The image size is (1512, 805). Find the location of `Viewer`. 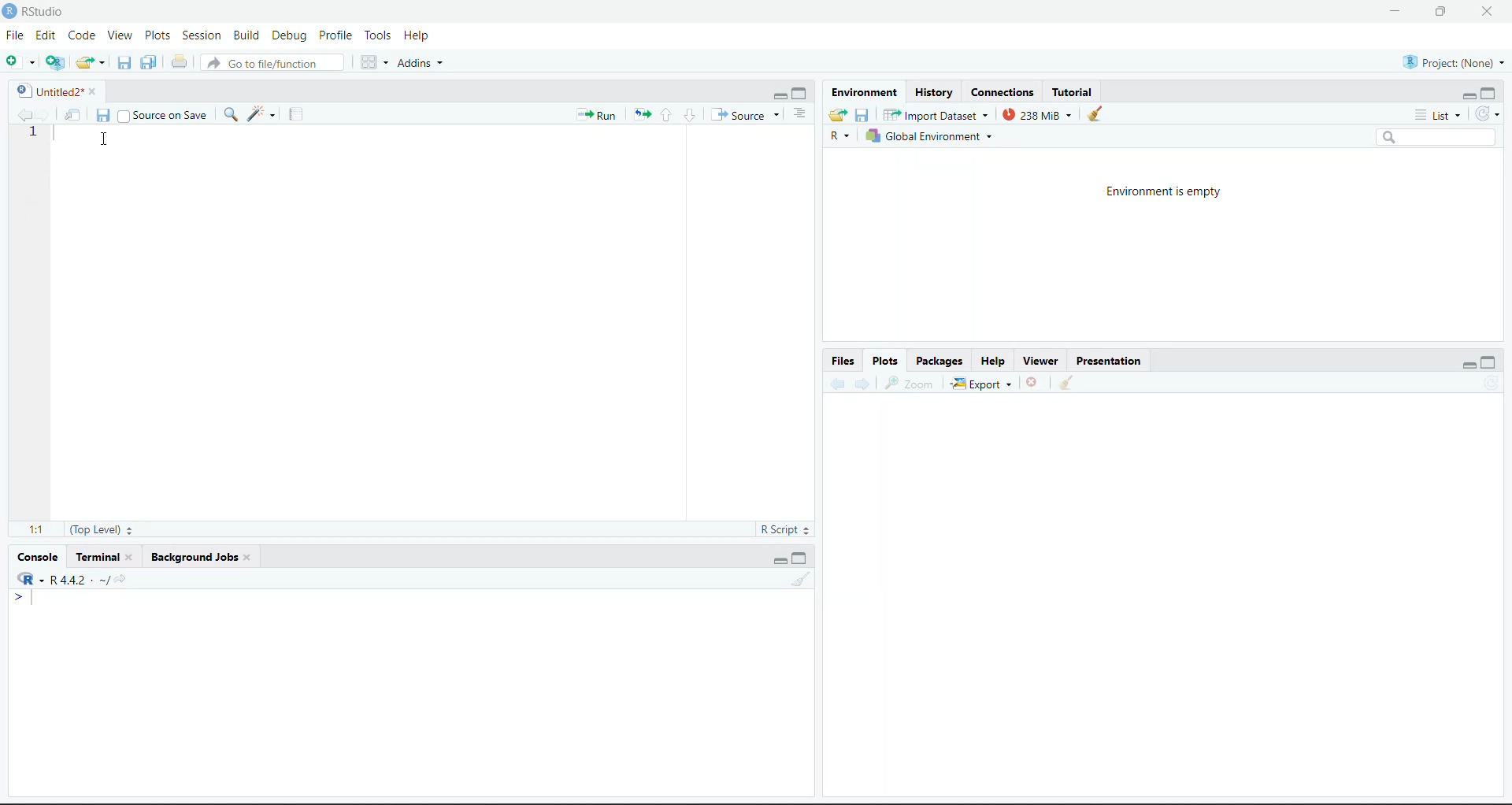

Viewer is located at coordinates (1043, 361).